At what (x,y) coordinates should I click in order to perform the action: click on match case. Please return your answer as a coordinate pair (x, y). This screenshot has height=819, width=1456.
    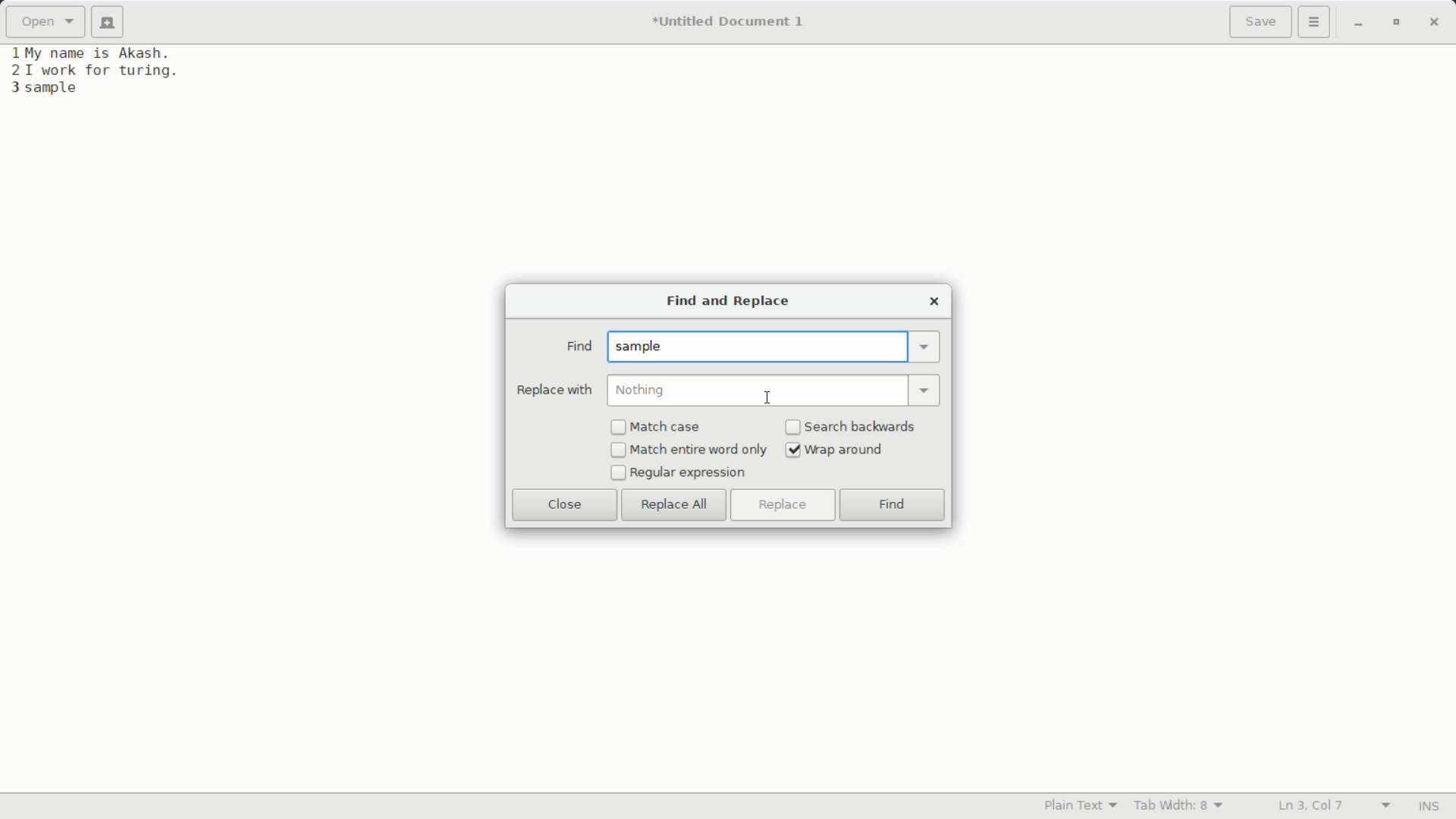
    Looking at the image, I should click on (668, 428).